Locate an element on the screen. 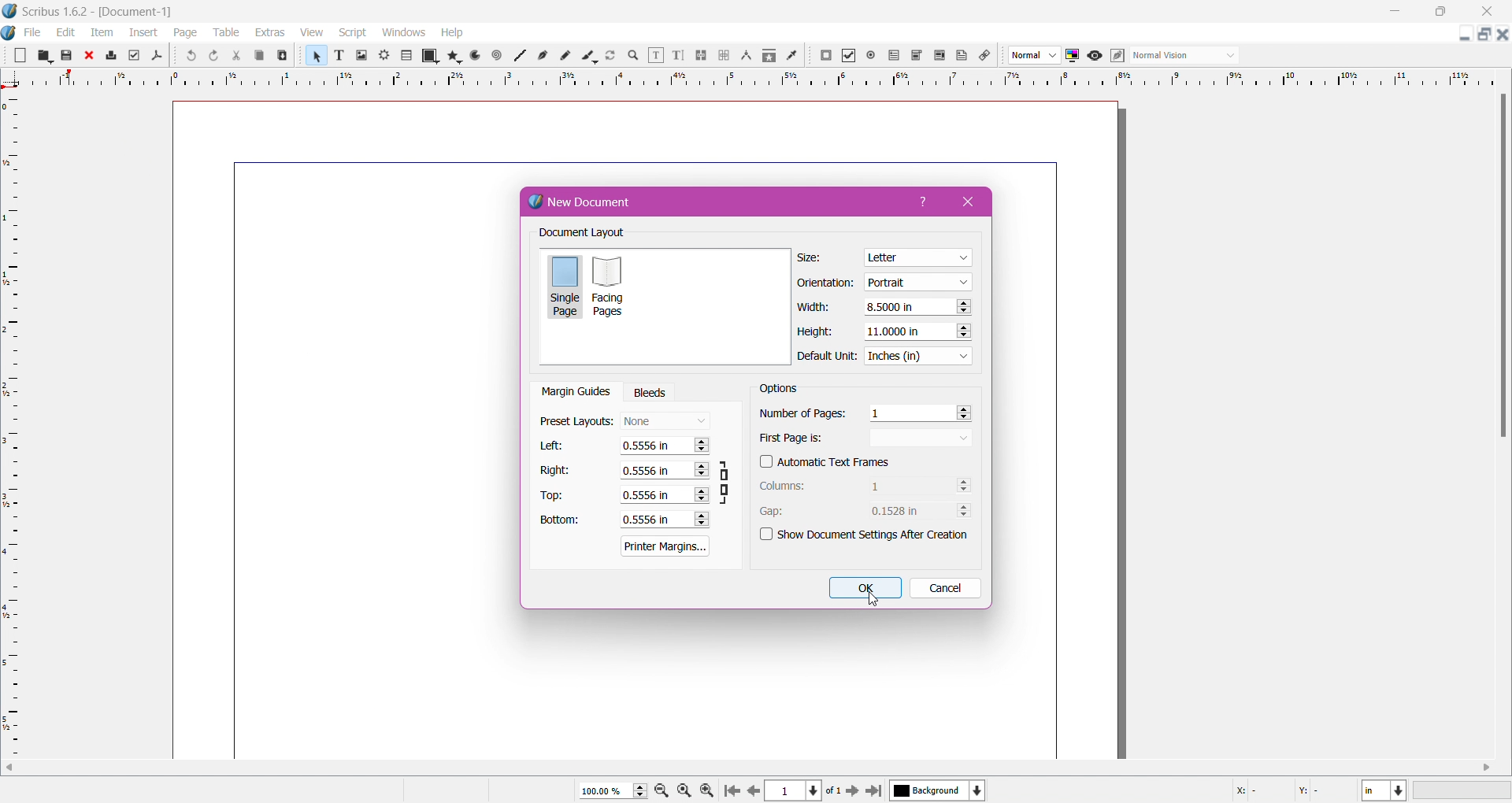  icon is located at coordinates (792, 57).